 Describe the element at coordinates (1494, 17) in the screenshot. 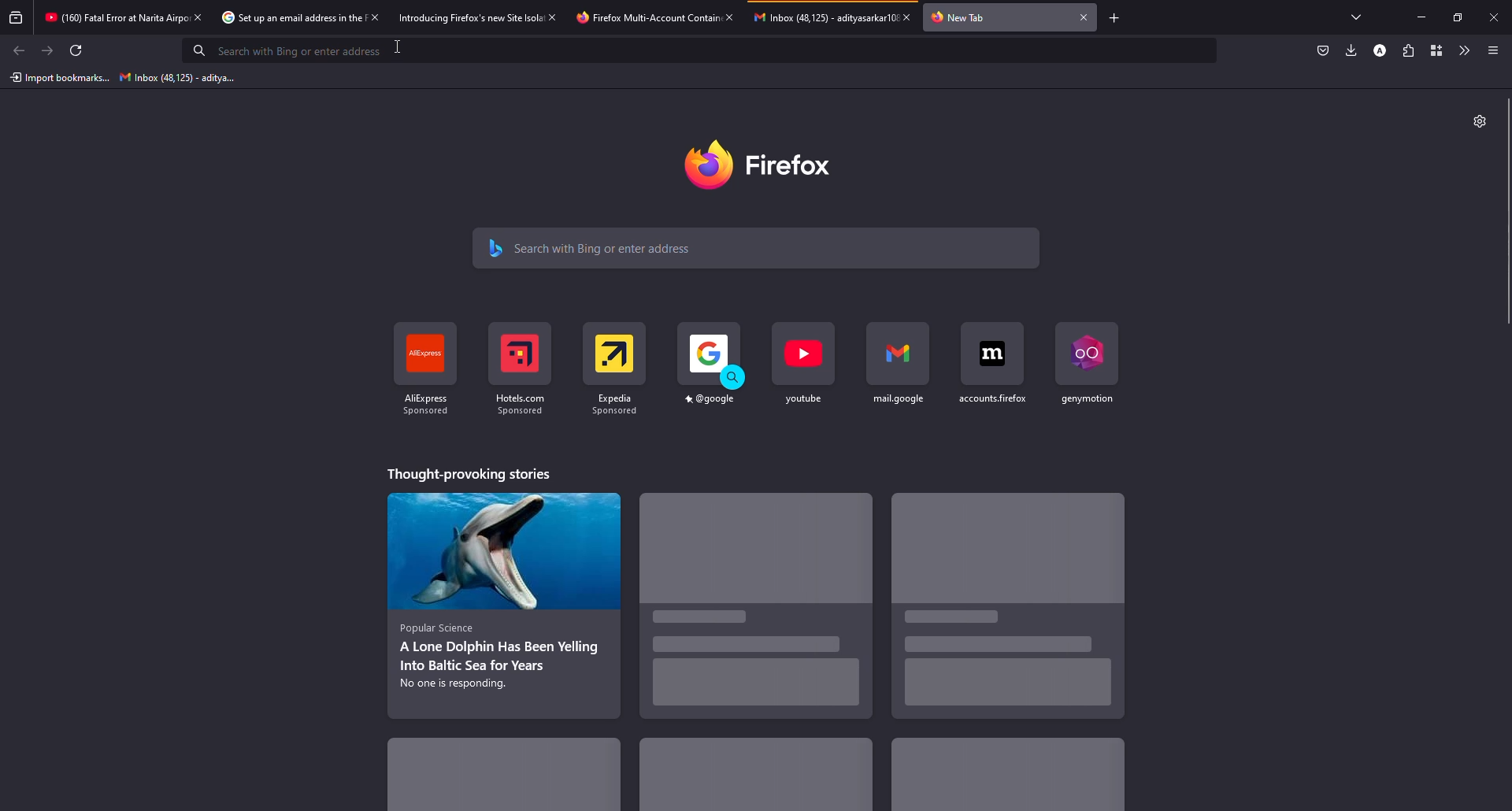

I see `close` at that location.